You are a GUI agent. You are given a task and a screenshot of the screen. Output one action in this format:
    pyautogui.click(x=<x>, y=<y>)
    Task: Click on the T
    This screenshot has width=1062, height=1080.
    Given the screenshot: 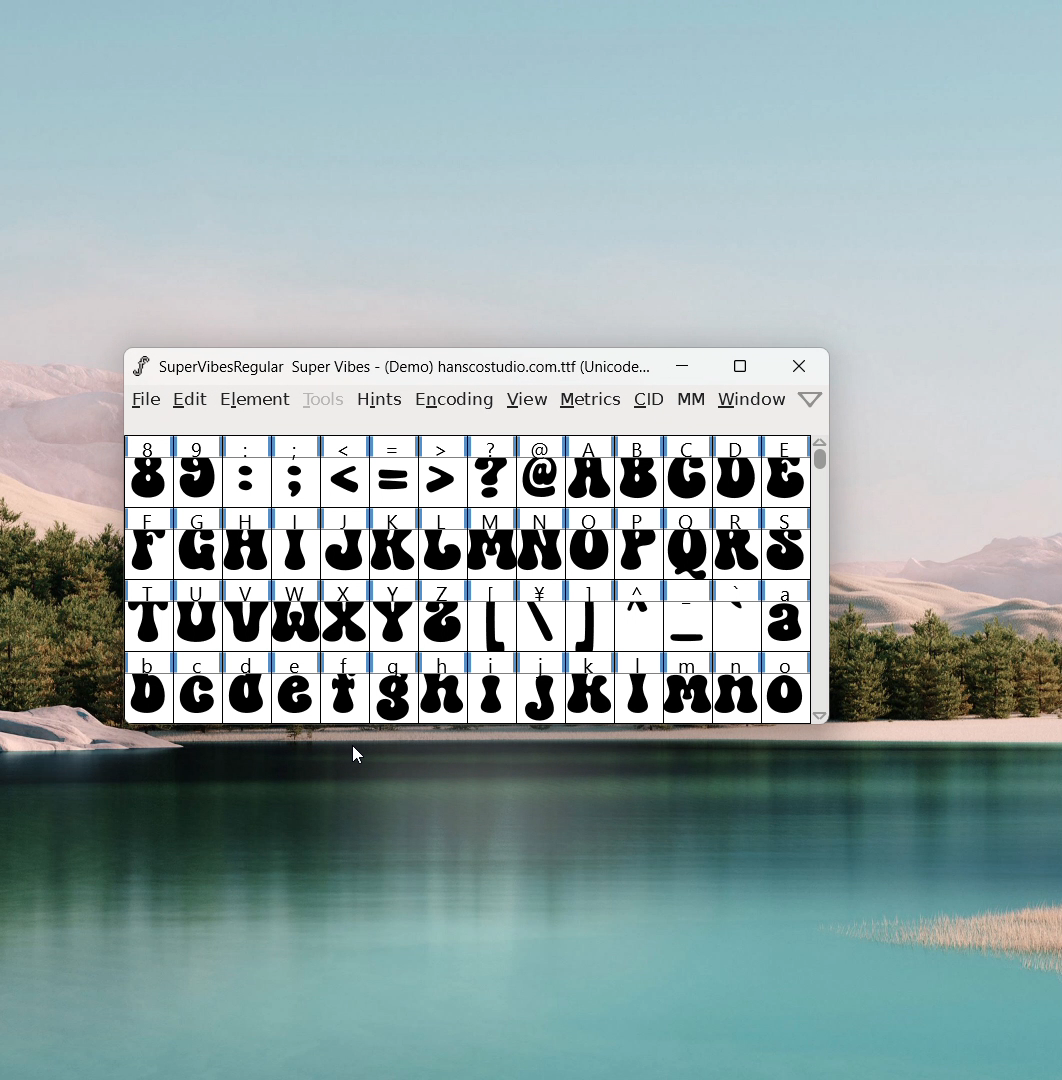 What is the action you would take?
    pyautogui.click(x=148, y=616)
    